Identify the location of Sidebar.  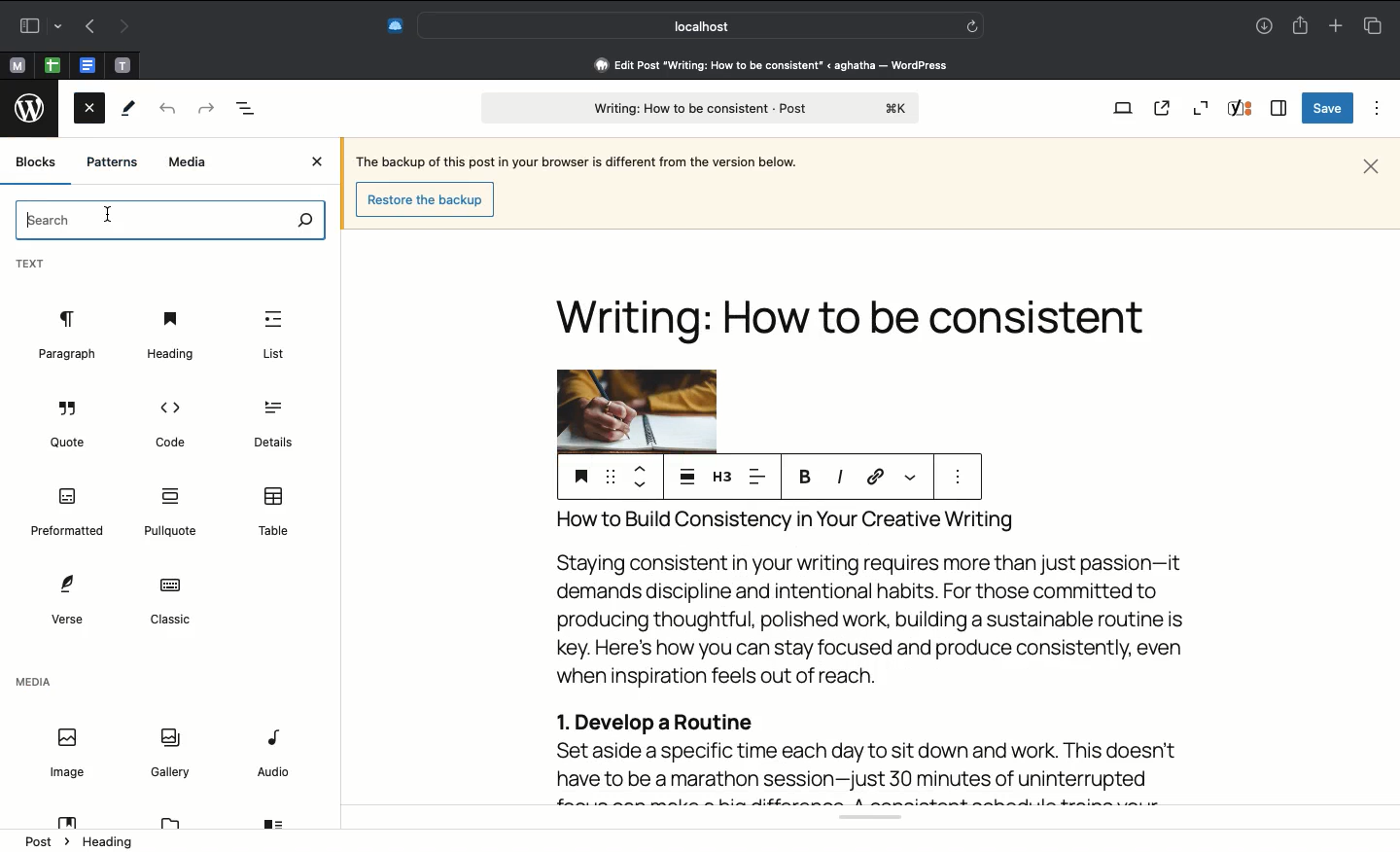
(36, 25).